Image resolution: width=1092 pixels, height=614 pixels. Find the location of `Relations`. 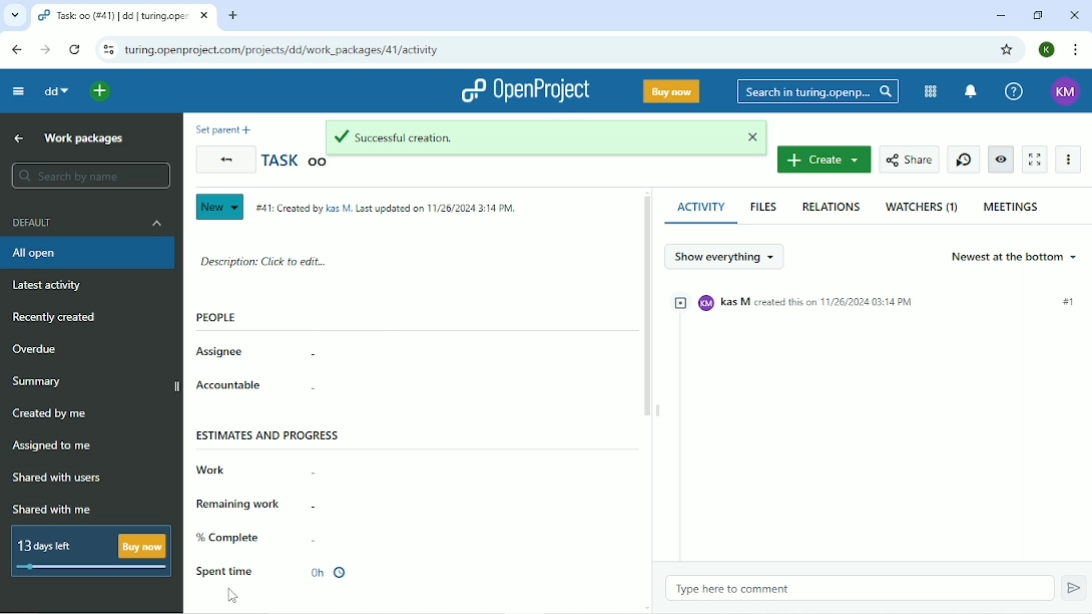

Relations is located at coordinates (833, 208).